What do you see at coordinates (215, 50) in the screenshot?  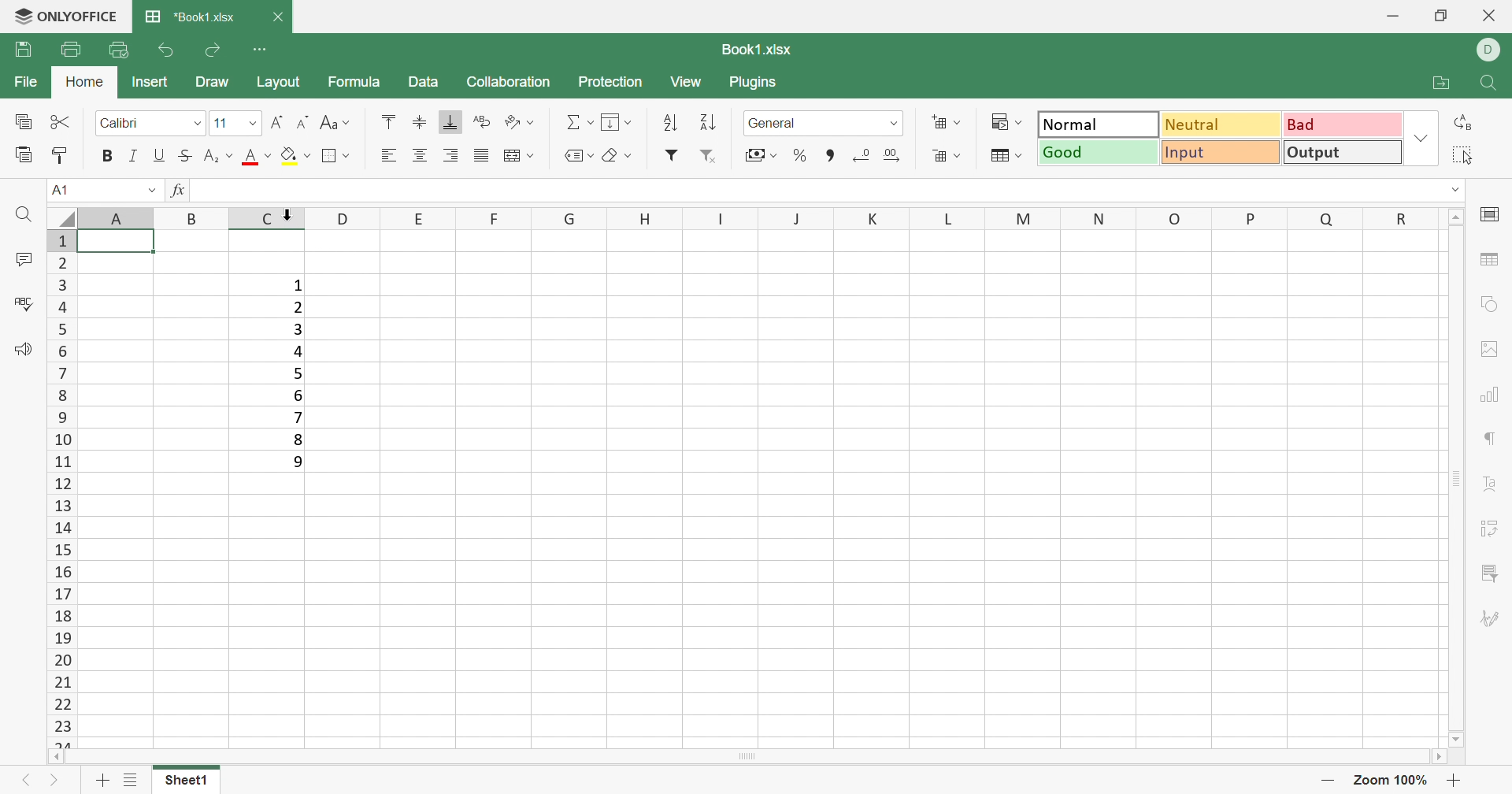 I see `Redo` at bounding box center [215, 50].